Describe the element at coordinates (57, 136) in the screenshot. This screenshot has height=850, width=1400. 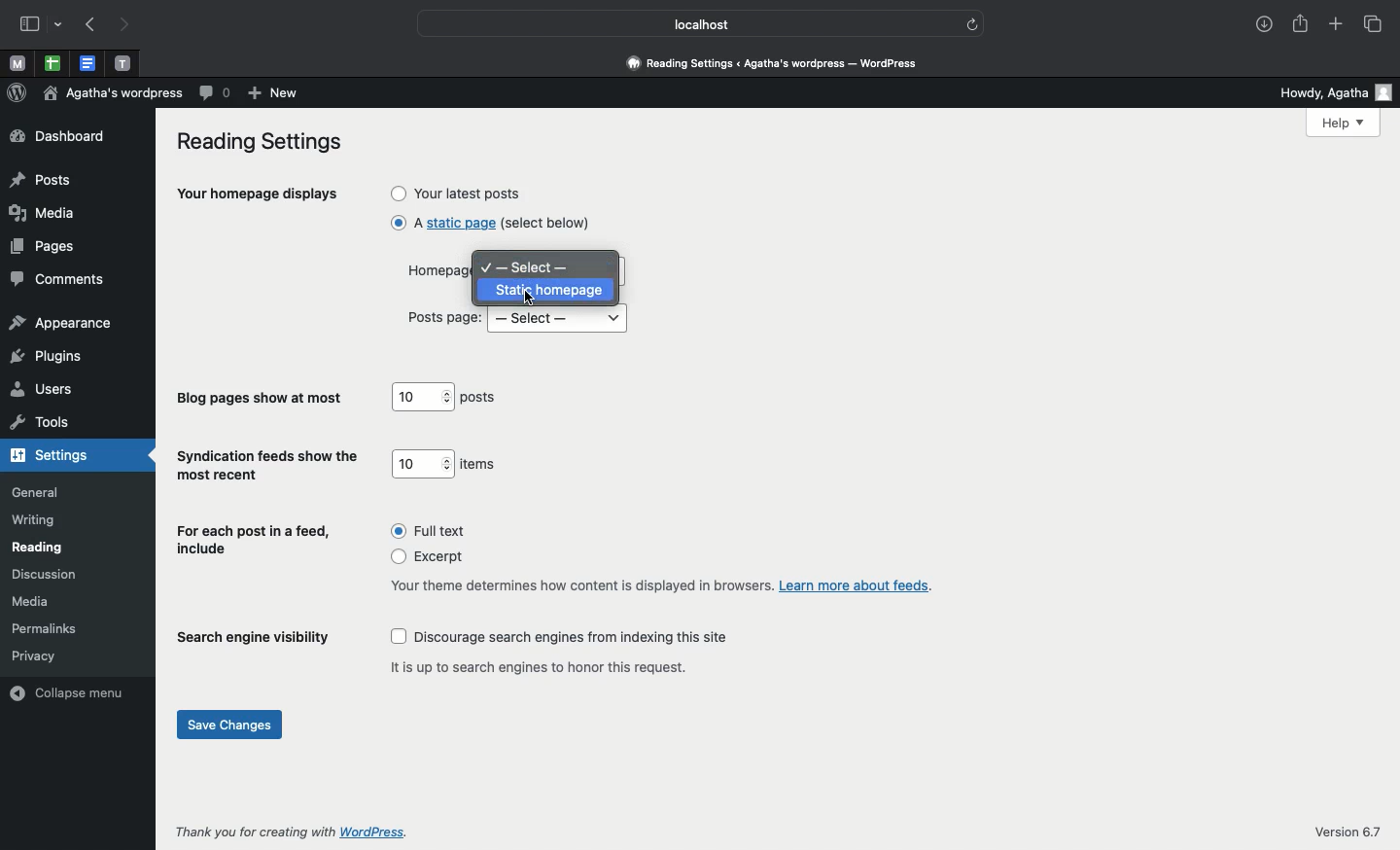
I see `dashboard ` at that location.